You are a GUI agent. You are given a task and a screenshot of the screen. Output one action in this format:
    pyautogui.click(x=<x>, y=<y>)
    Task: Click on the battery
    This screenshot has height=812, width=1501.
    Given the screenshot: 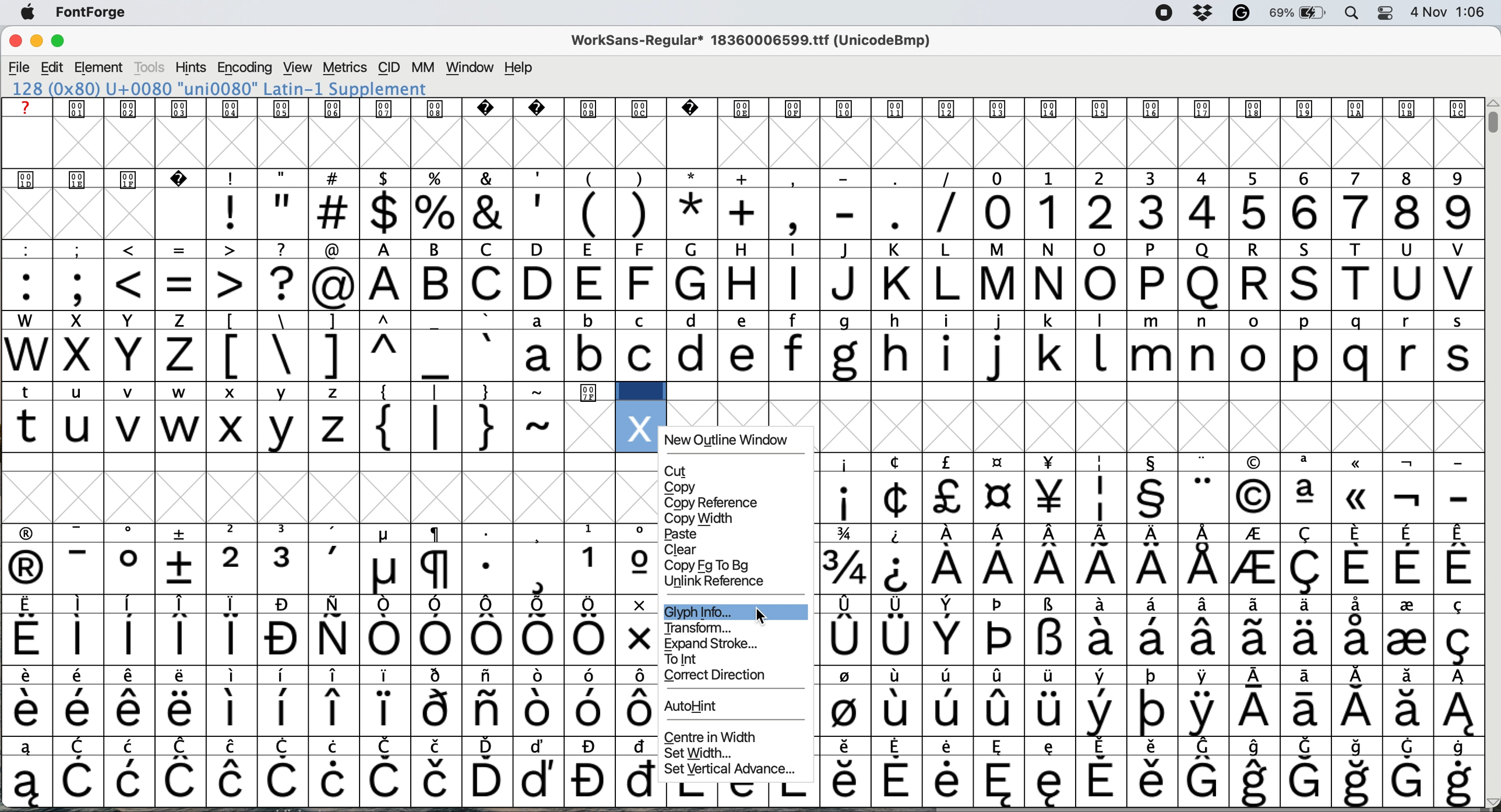 What is the action you would take?
    pyautogui.click(x=1298, y=13)
    